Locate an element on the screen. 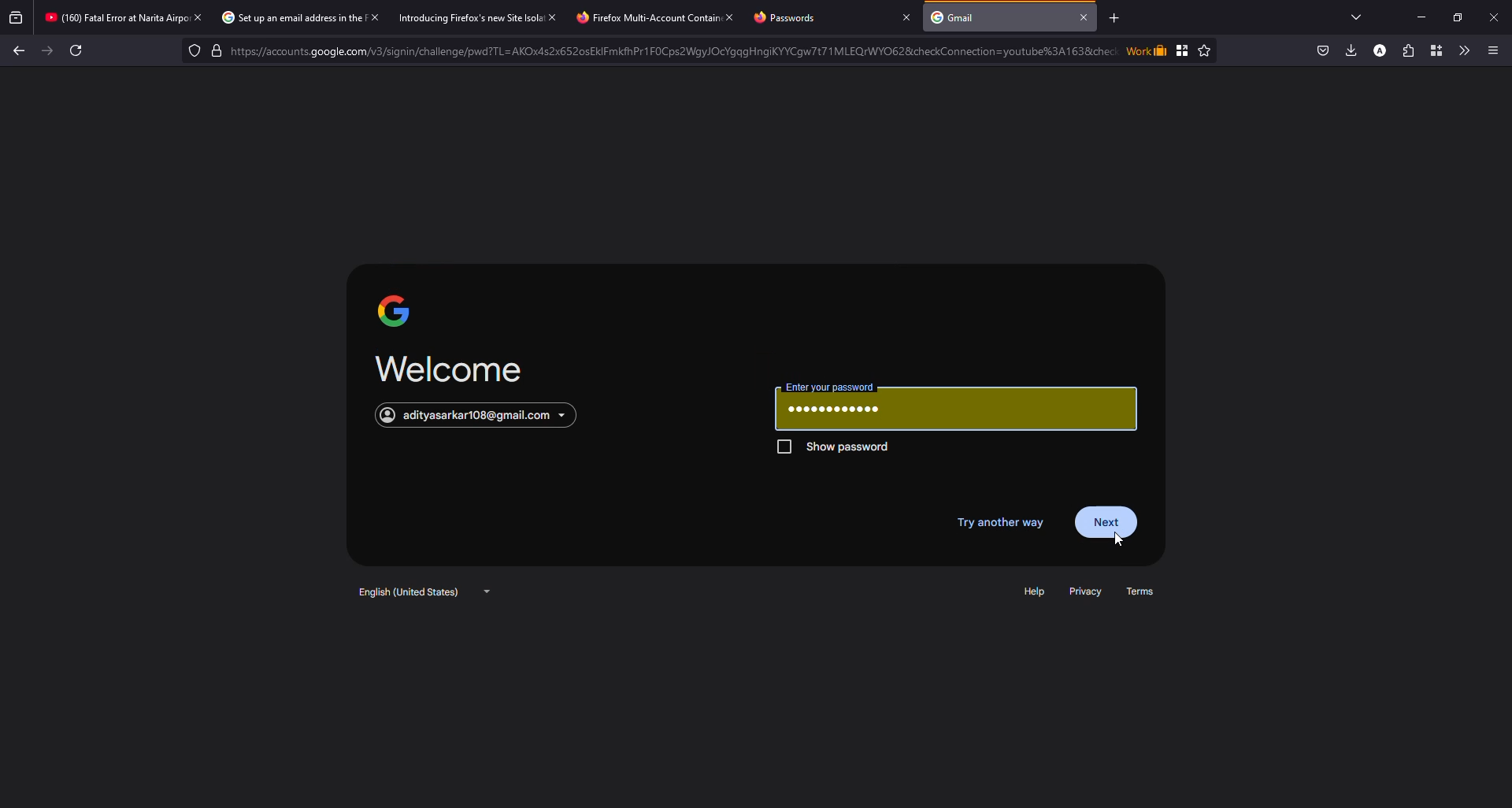 Image resolution: width=1512 pixels, height=808 pixels. privacy is located at coordinates (1087, 596).